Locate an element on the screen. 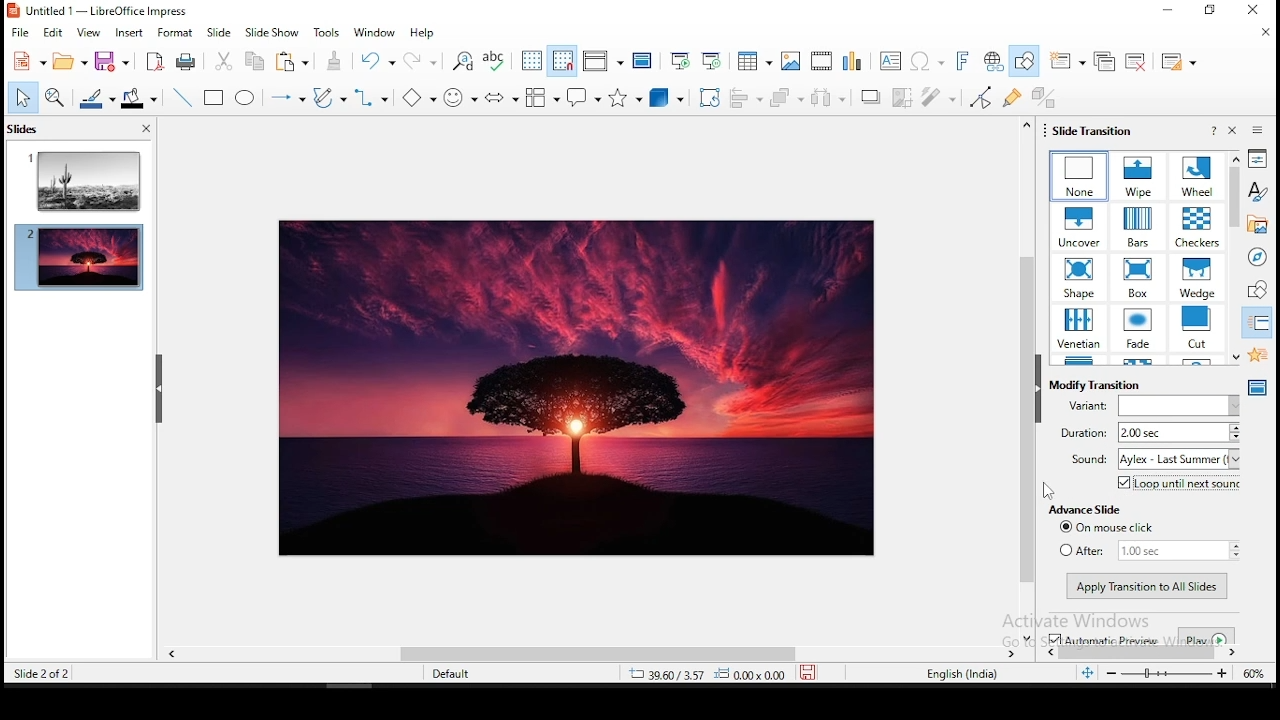  save is located at coordinates (115, 59).